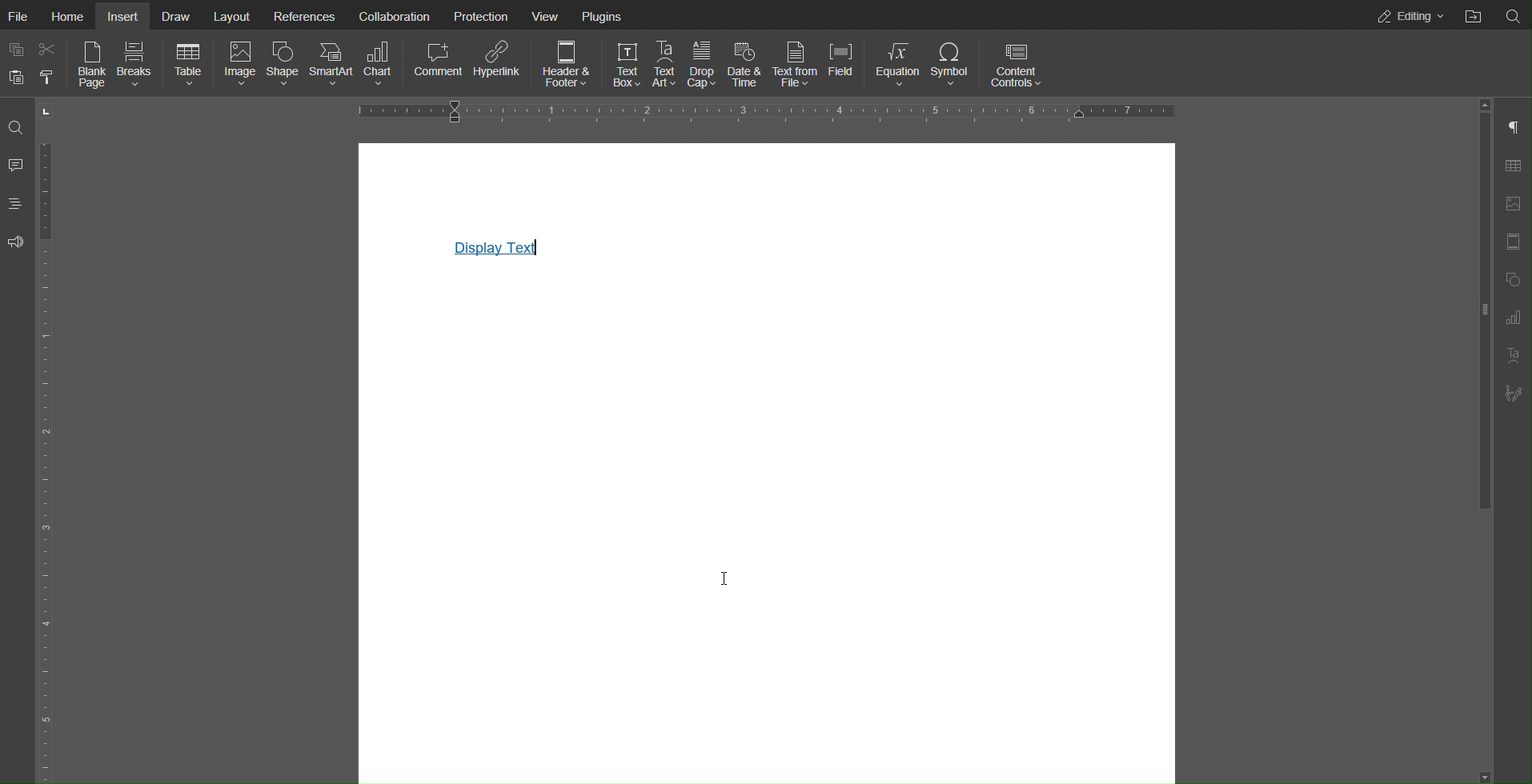 The height and width of the screenshot is (784, 1532). Describe the element at coordinates (498, 248) in the screenshot. I see `Display Text Link` at that location.